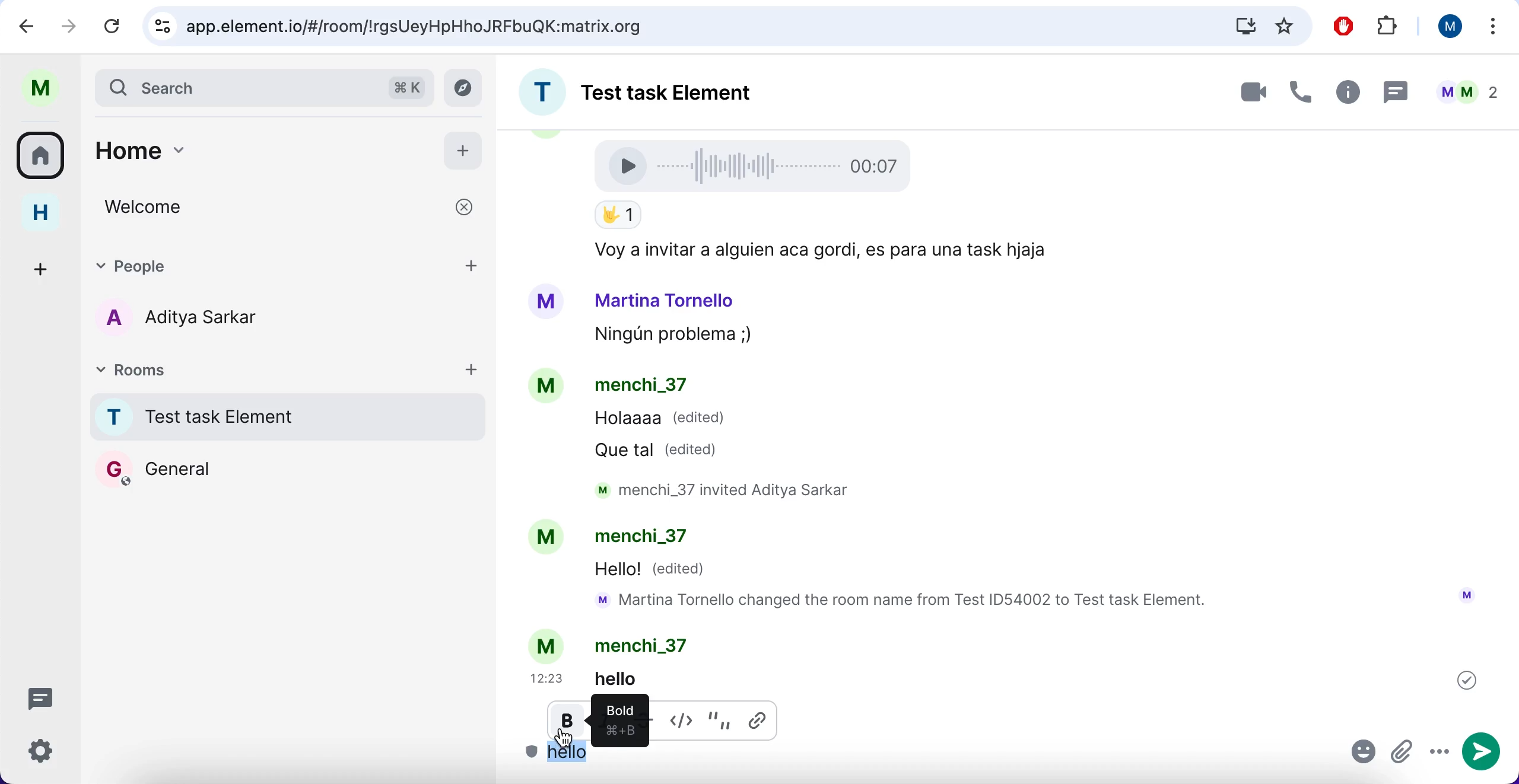 The height and width of the screenshot is (784, 1519). What do you see at coordinates (685, 718) in the screenshot?
I see `codeblock` at bounding box center [685, 718].